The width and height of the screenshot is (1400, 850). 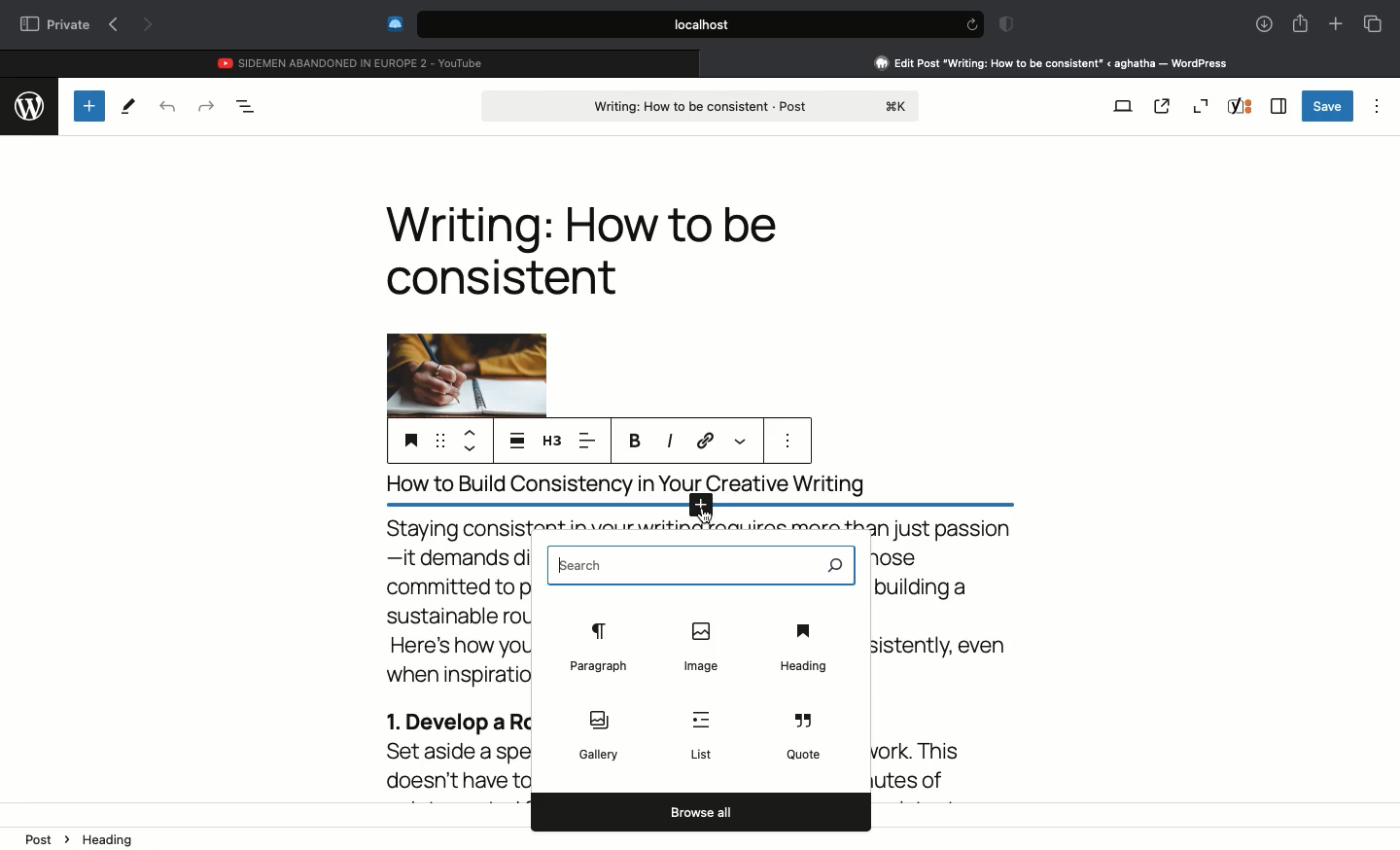 I want to click on Previous page, so click(x=113, y=25).